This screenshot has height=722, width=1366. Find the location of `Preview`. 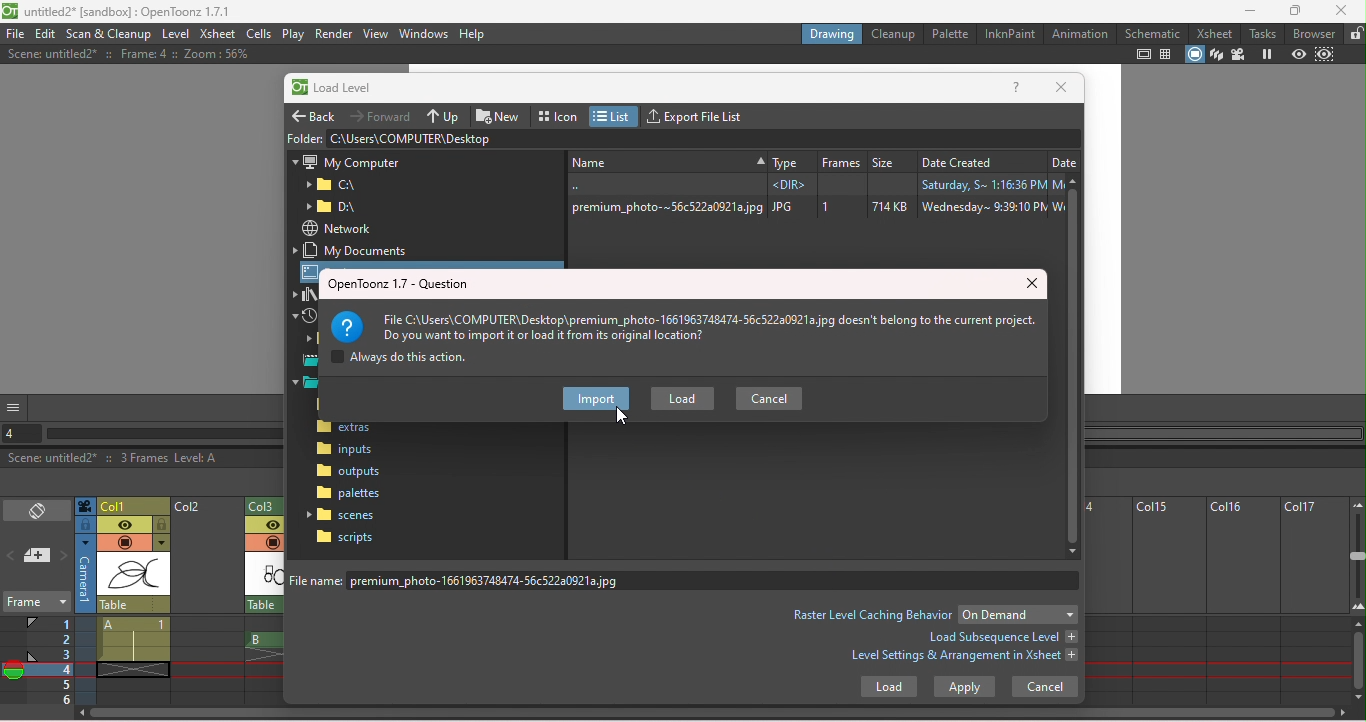

Preview is located at coordinates (1298, 55).